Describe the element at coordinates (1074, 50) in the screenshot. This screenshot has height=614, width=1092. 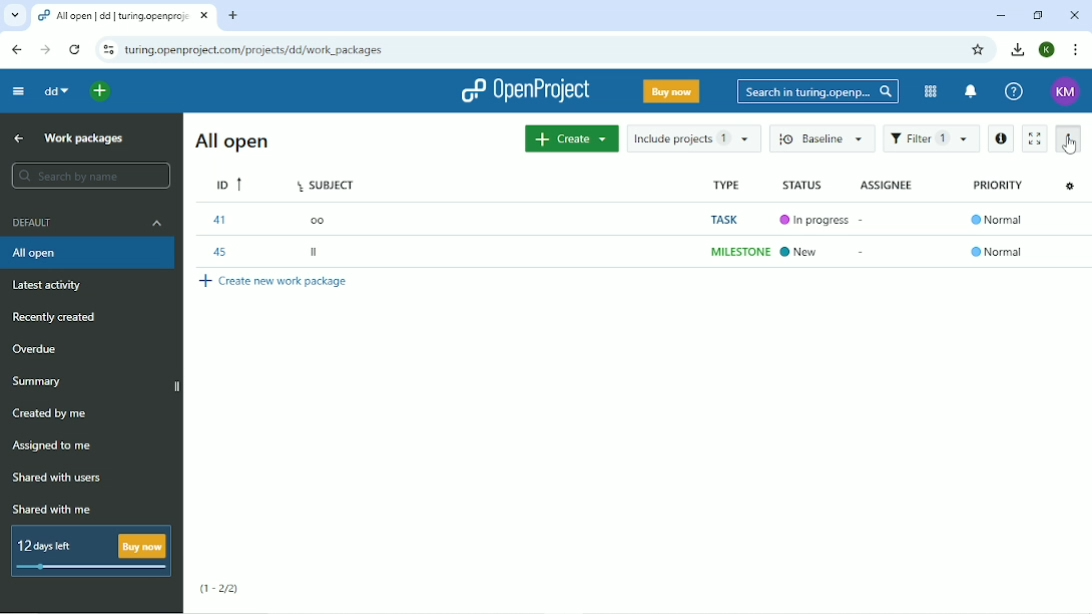
I see `Customize and control google hrome` at that location.